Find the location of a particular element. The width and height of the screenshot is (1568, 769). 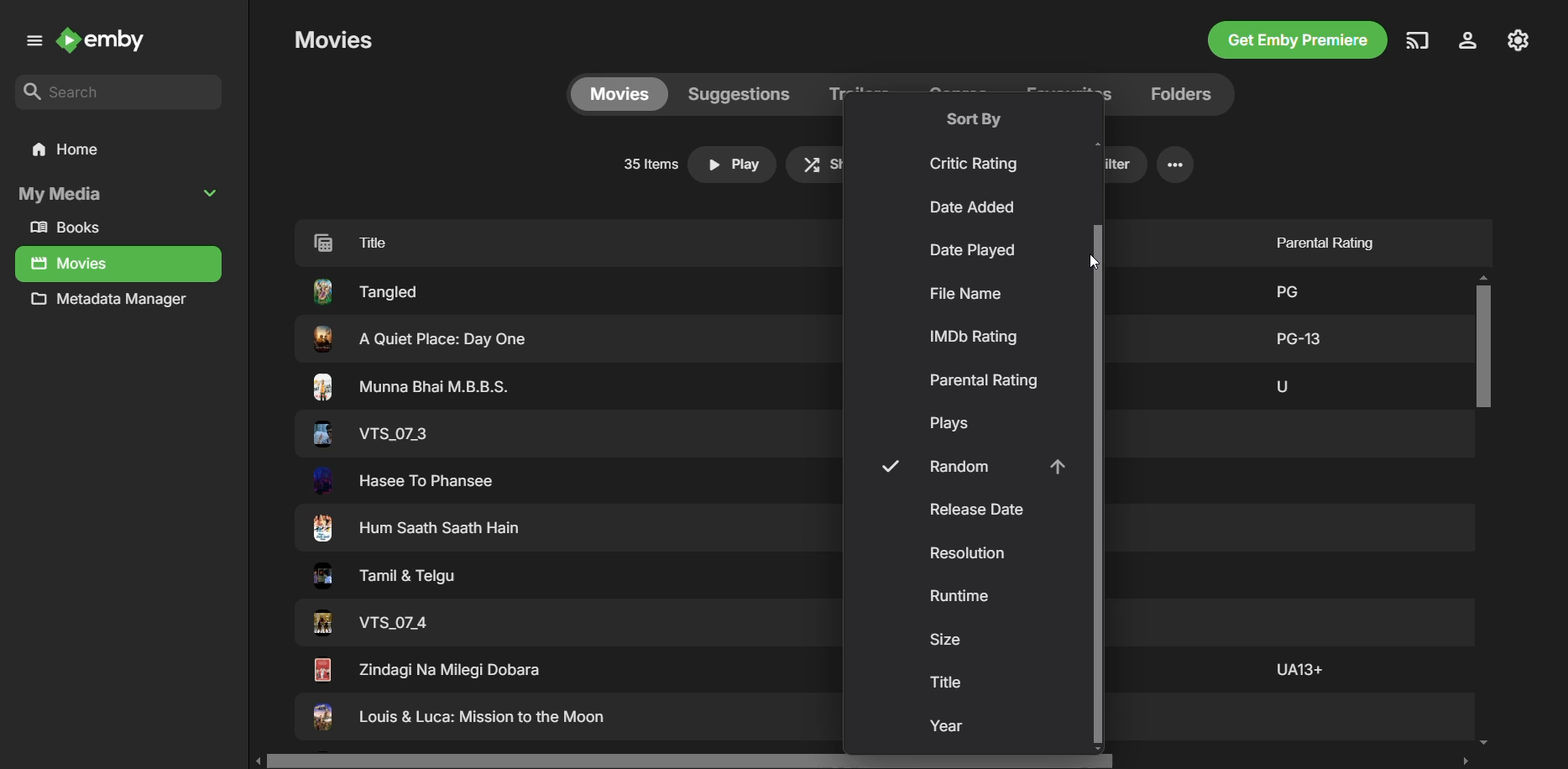

Metadata Manager is located at coordinates (114, 303).